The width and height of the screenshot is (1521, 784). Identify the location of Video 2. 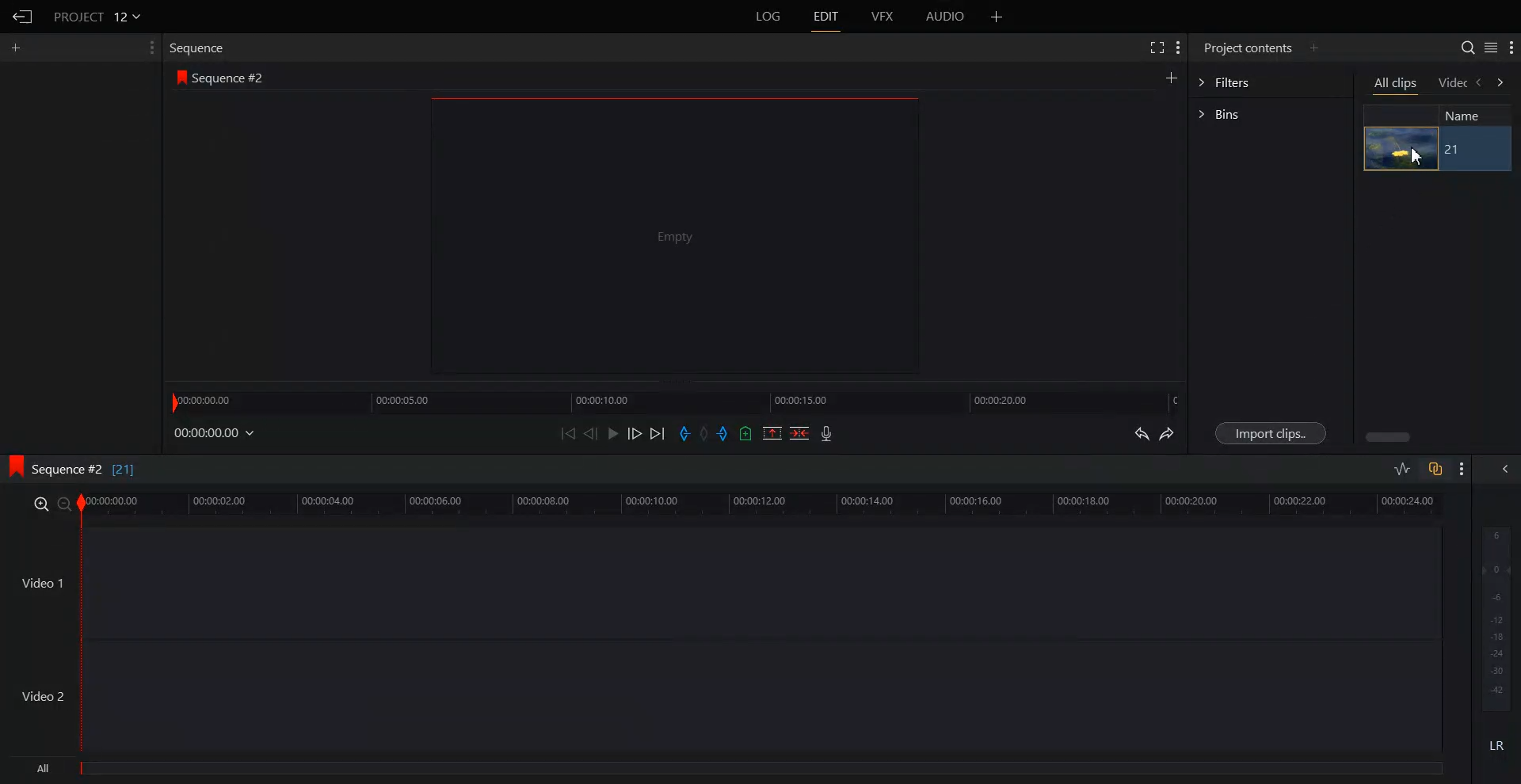
(760, 696).